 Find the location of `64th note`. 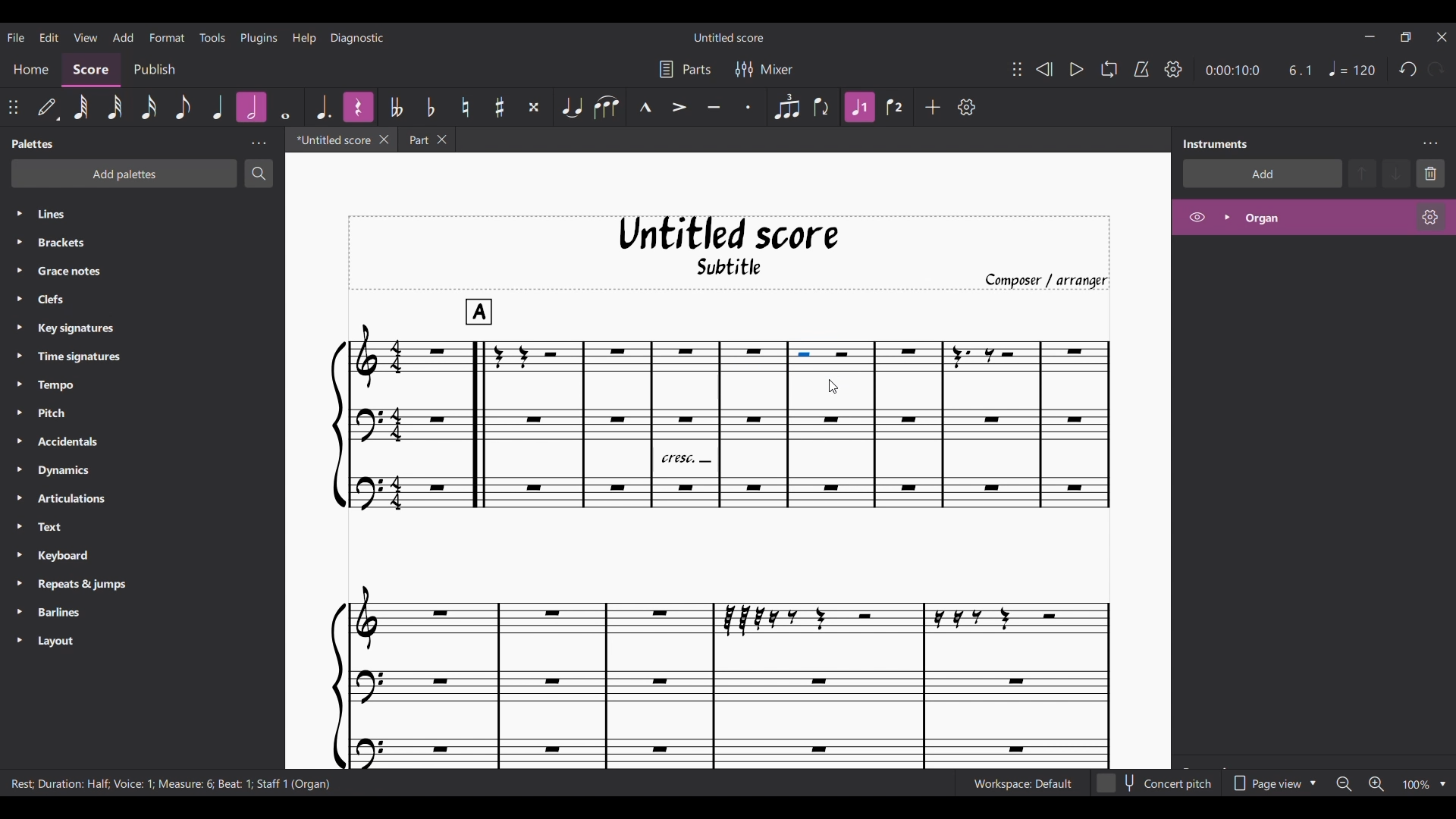

64th note is located at coordinates (80, 108).